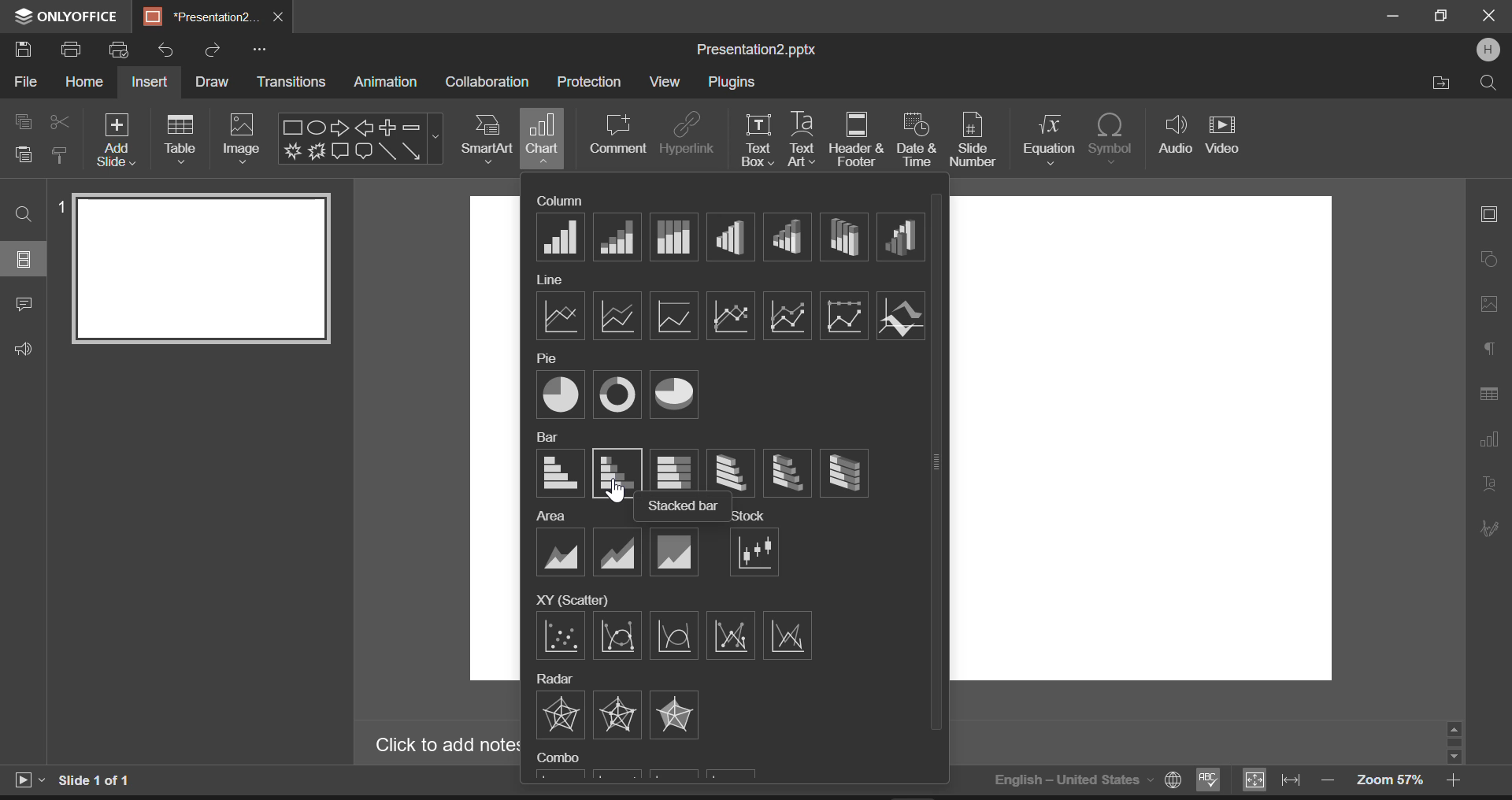 This screenshot has width=1512, height=800. Describe the element at coordinates (83, 83) in the screenshot. I see `Home Menu` at that location.